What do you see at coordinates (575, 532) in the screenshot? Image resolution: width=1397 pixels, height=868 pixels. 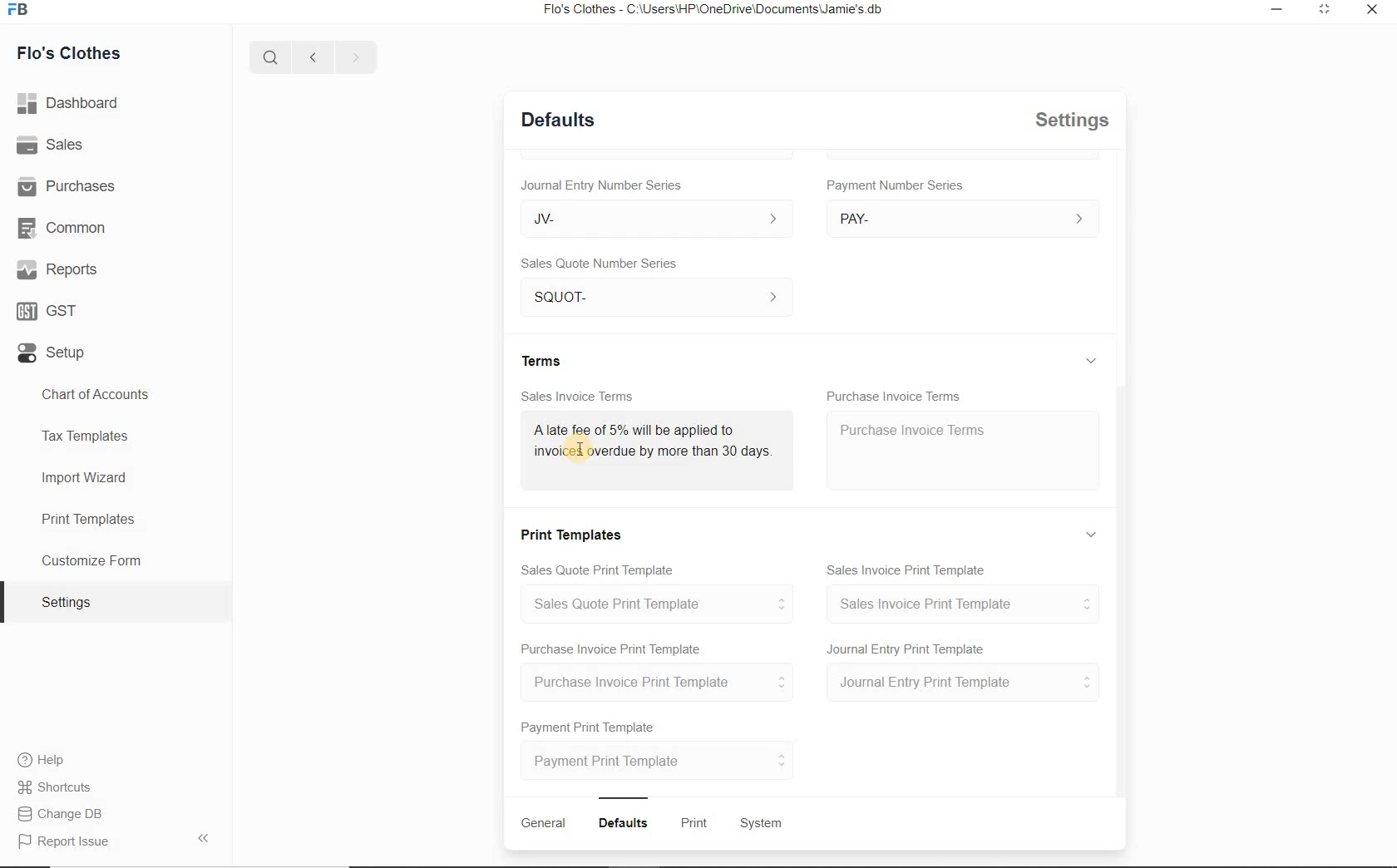 I see `Print Templates` at bounding box center [575, 532].